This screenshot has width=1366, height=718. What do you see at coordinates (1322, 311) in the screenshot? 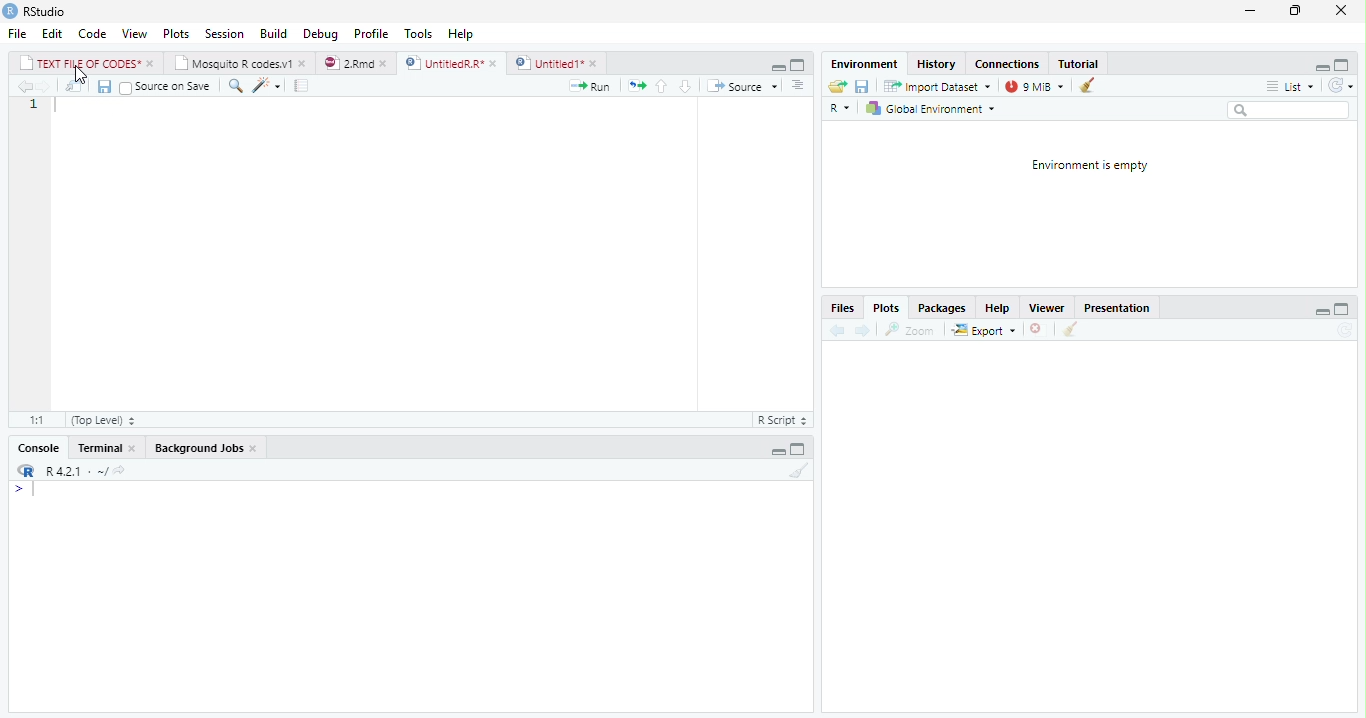
I see `hide r script` at bounding box center [1322, 311].